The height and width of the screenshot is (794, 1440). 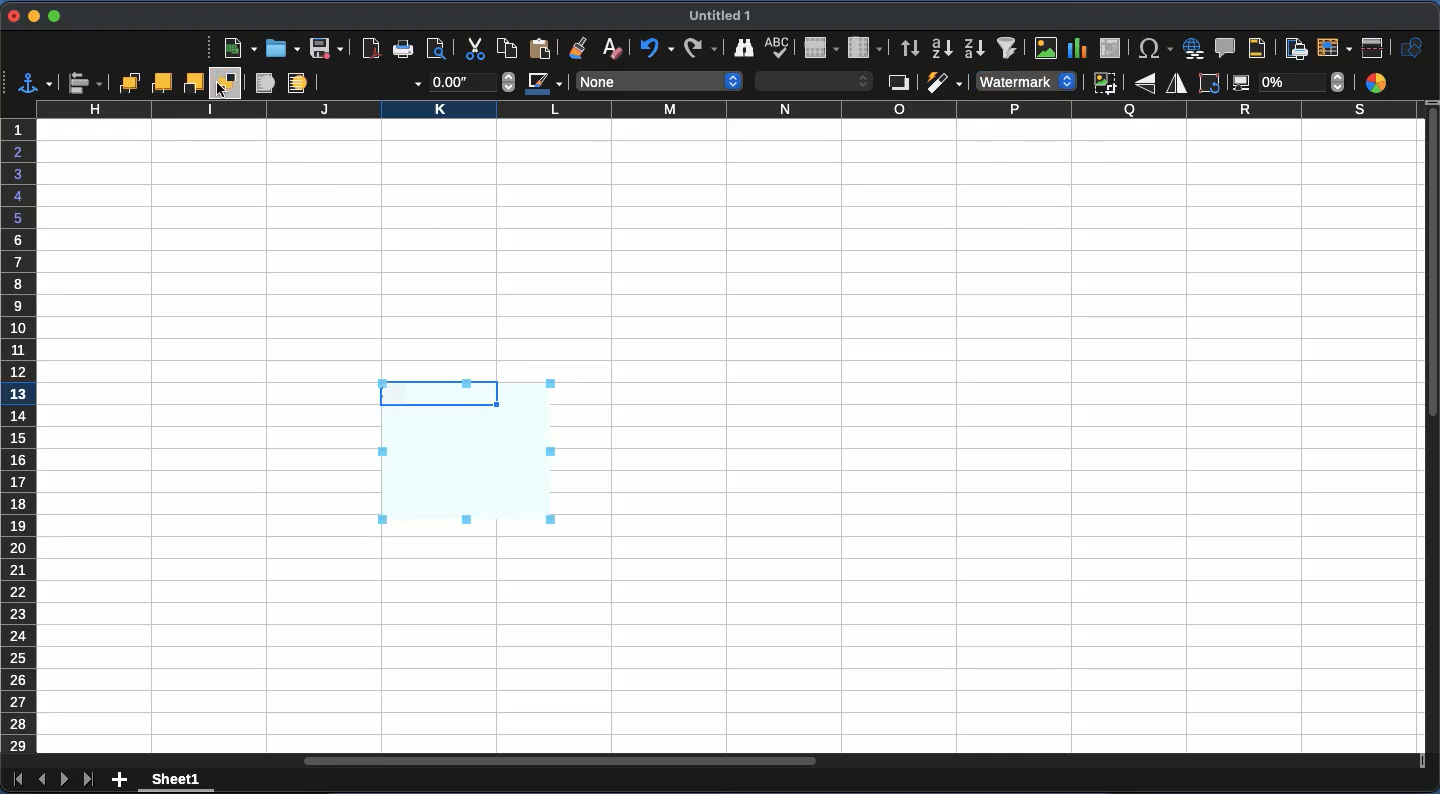 I want to click on previous sheet, so click(x=41, y=779).